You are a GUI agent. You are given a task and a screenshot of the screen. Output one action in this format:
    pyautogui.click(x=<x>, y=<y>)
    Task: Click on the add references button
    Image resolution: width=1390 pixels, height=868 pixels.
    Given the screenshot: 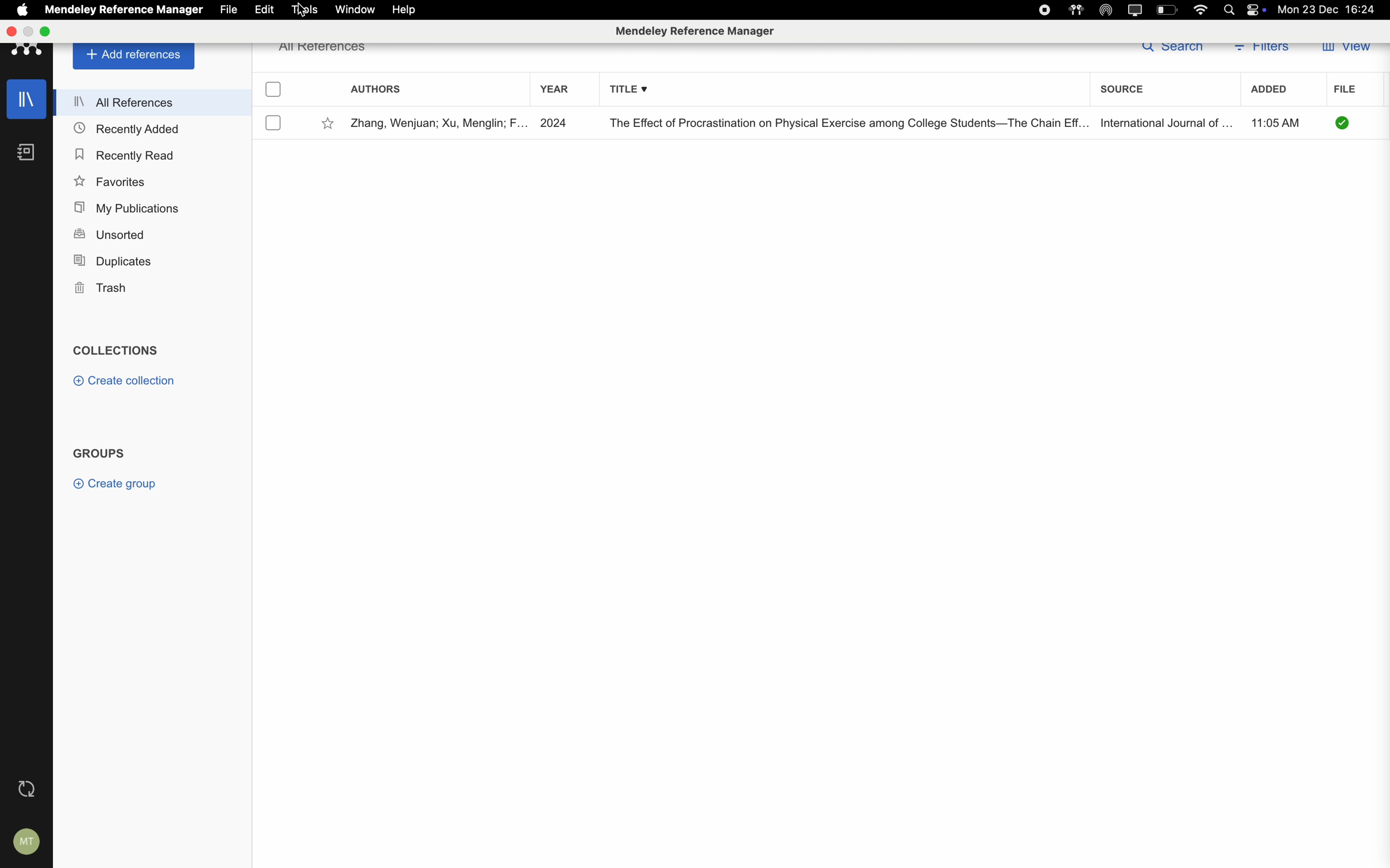 What is the action you would take?
    pyautogui.click(x=135, y=57)
    